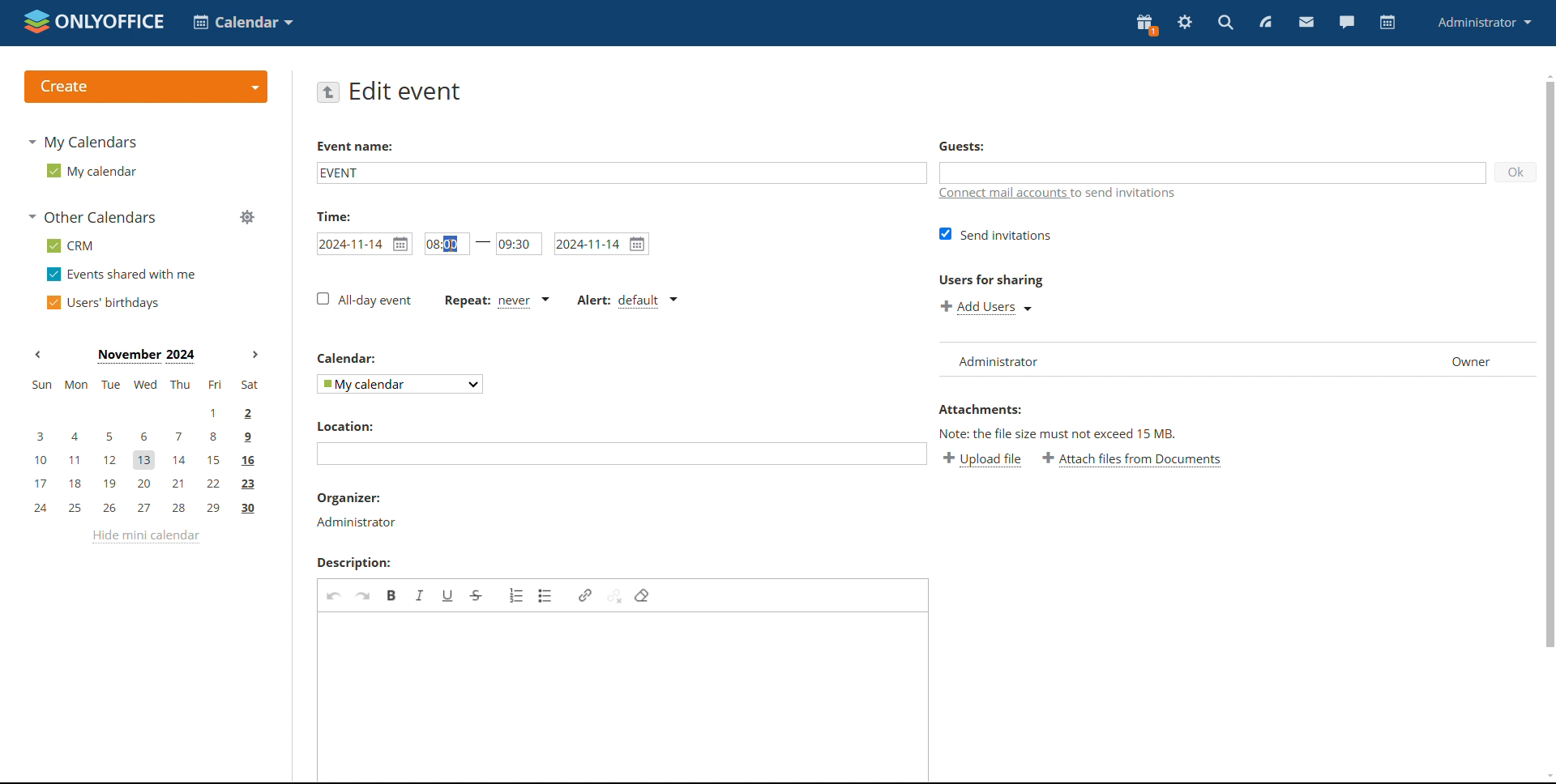 The width and height of the screenshot is (1556, 784). I want to click on select application, so click(245, 22).